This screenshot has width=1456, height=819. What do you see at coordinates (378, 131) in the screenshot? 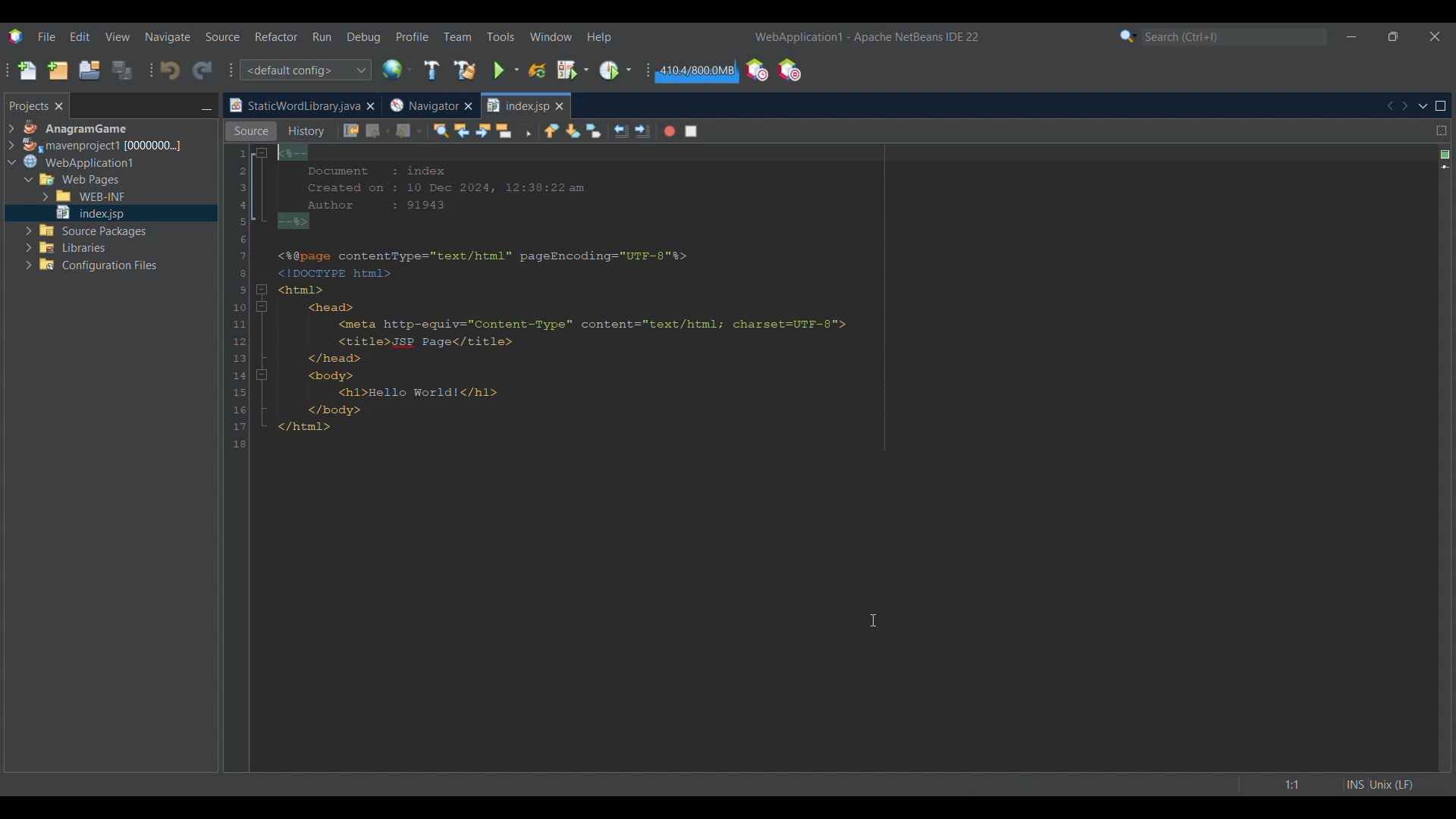
I see `Back` at bounding box center [378, 131].